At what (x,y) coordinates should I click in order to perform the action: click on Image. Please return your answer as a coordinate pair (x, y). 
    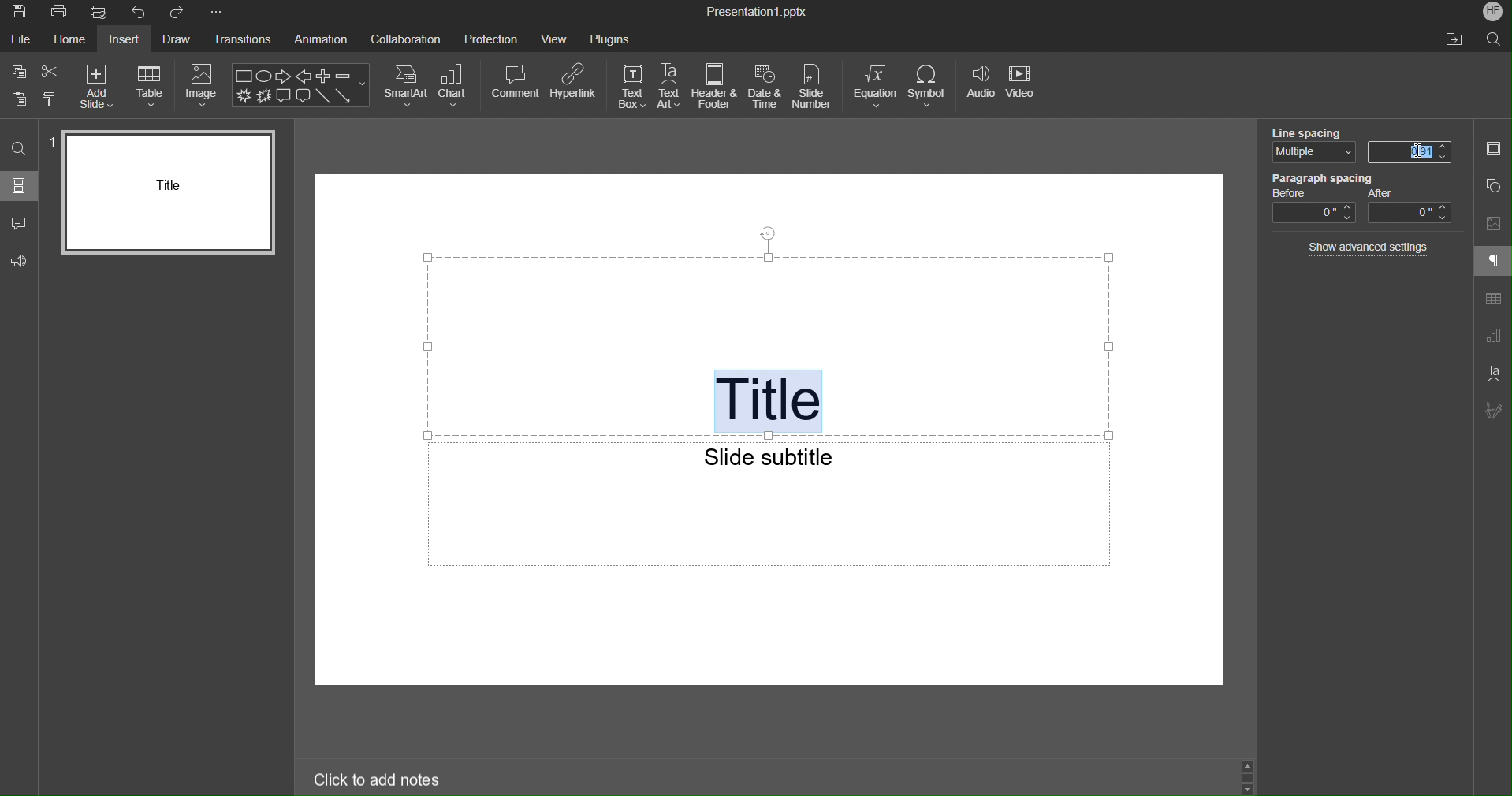
    Looking at the image, I should click on (203, 85).